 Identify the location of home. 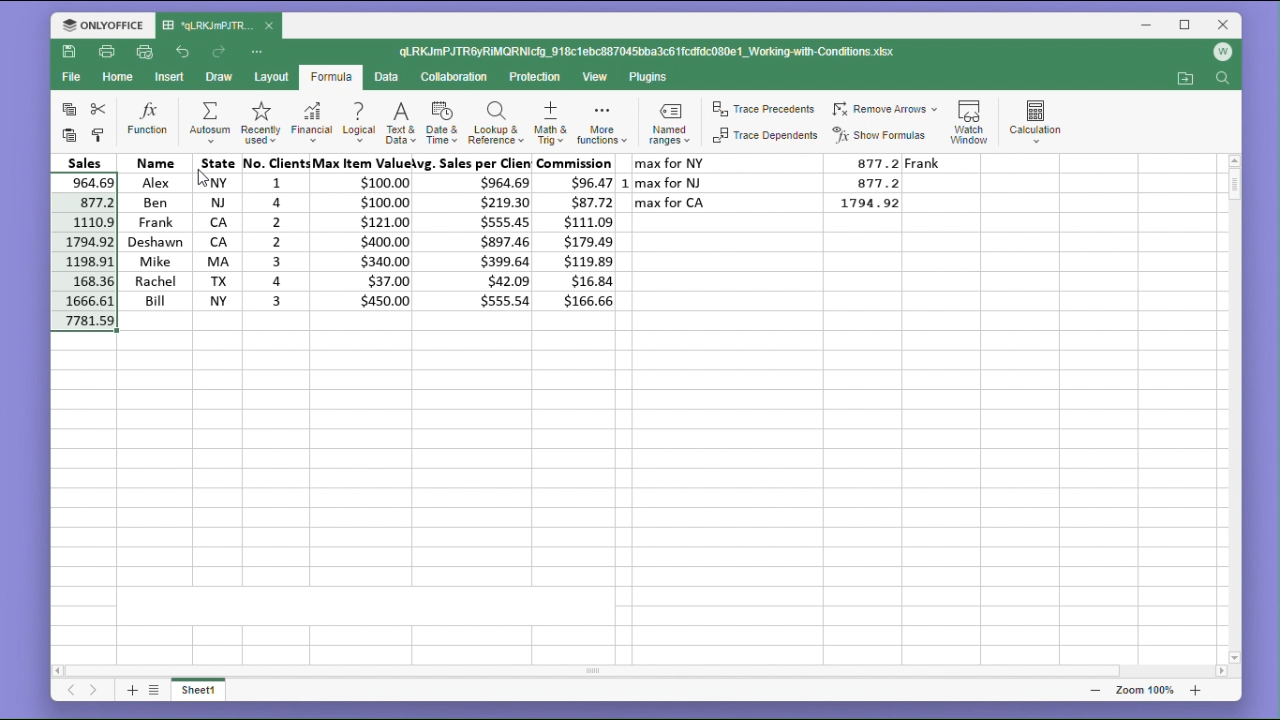
(120, 82).